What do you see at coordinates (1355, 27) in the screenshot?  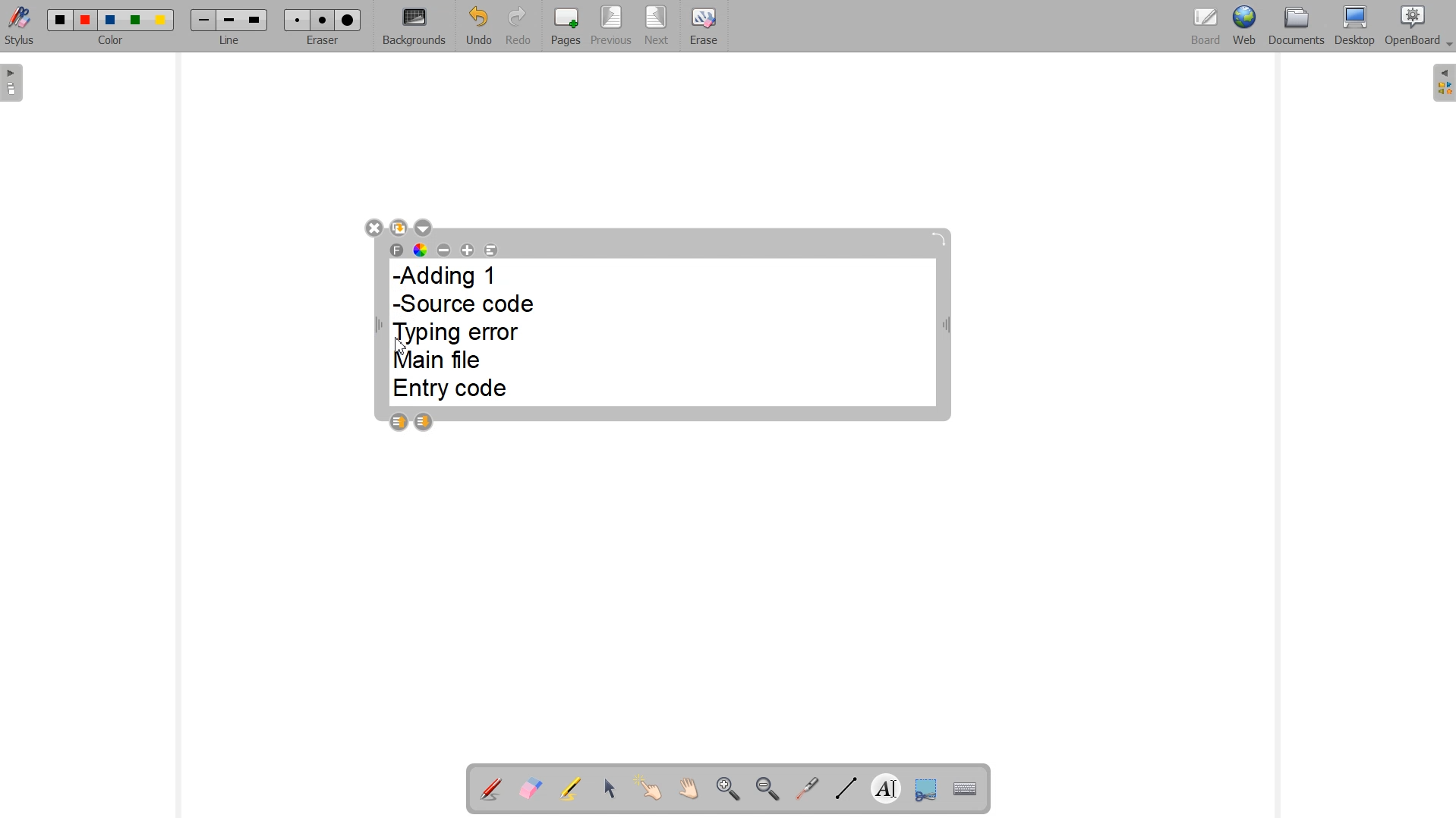 I see `Desktop` at bounding box center [1355, 27].